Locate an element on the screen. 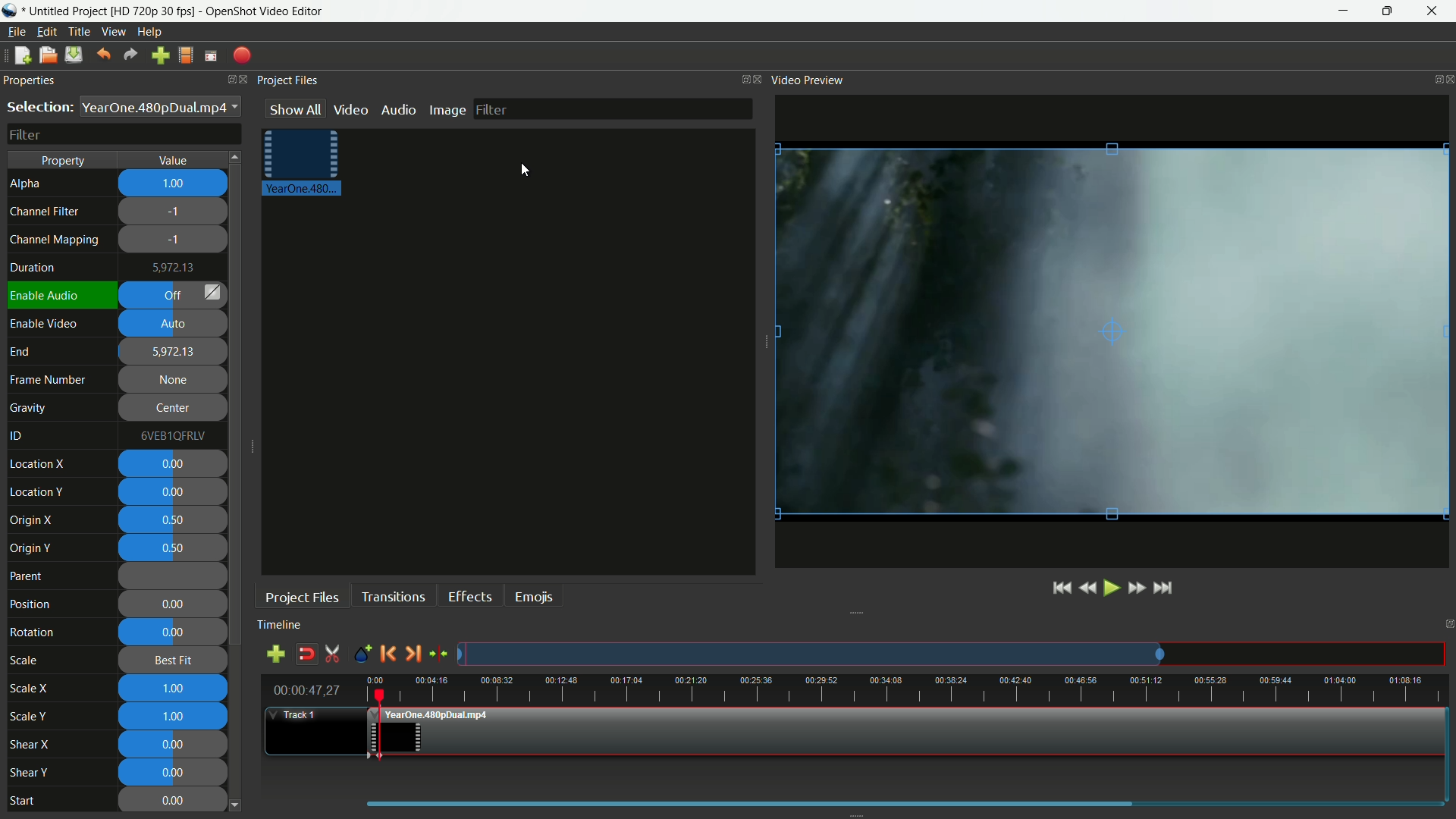 The image size is (1456, 819). current time is located at coordinates (306, 690).